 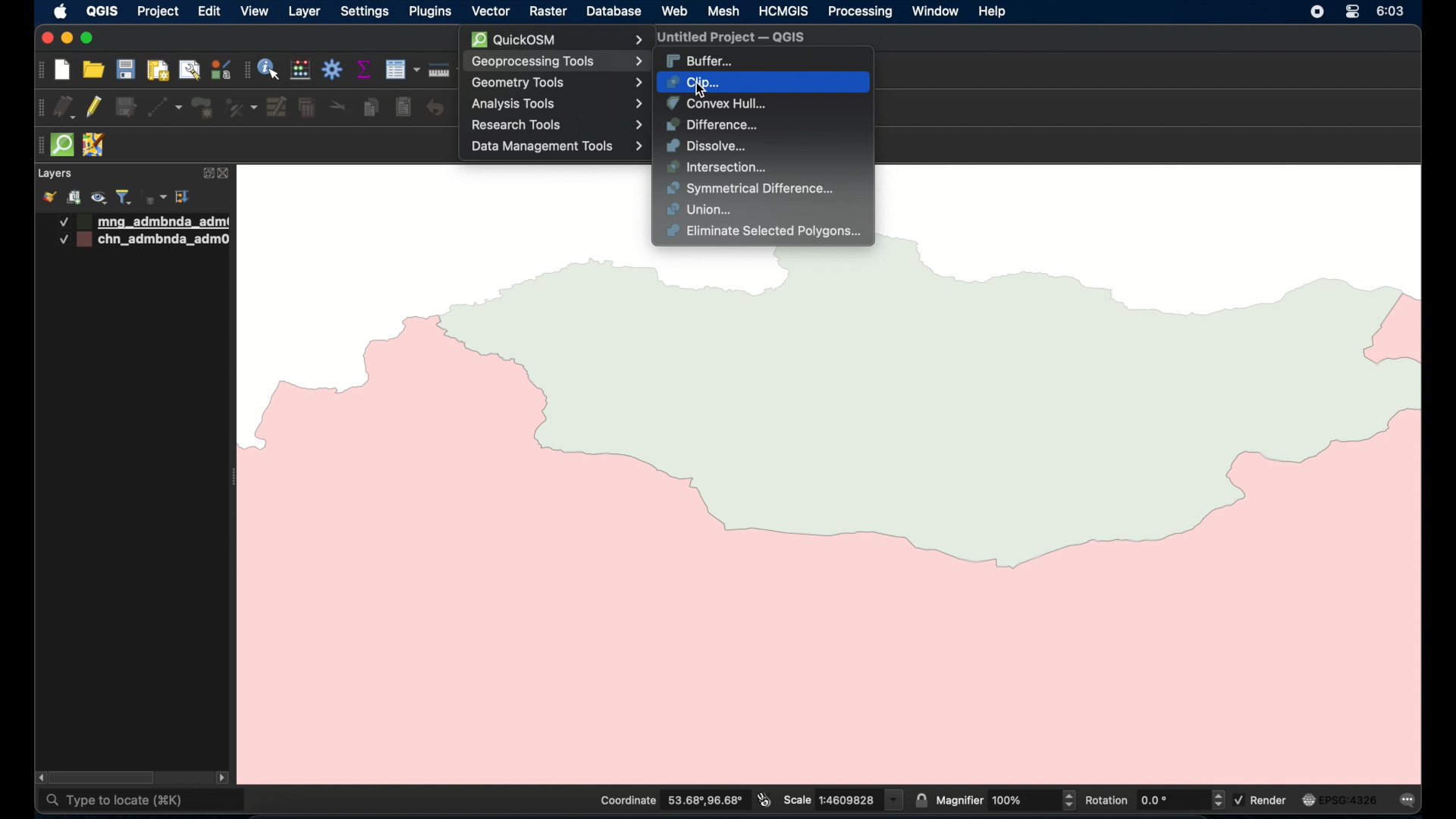 I want to click on scroll left arrow, so click(x=38, y=777).